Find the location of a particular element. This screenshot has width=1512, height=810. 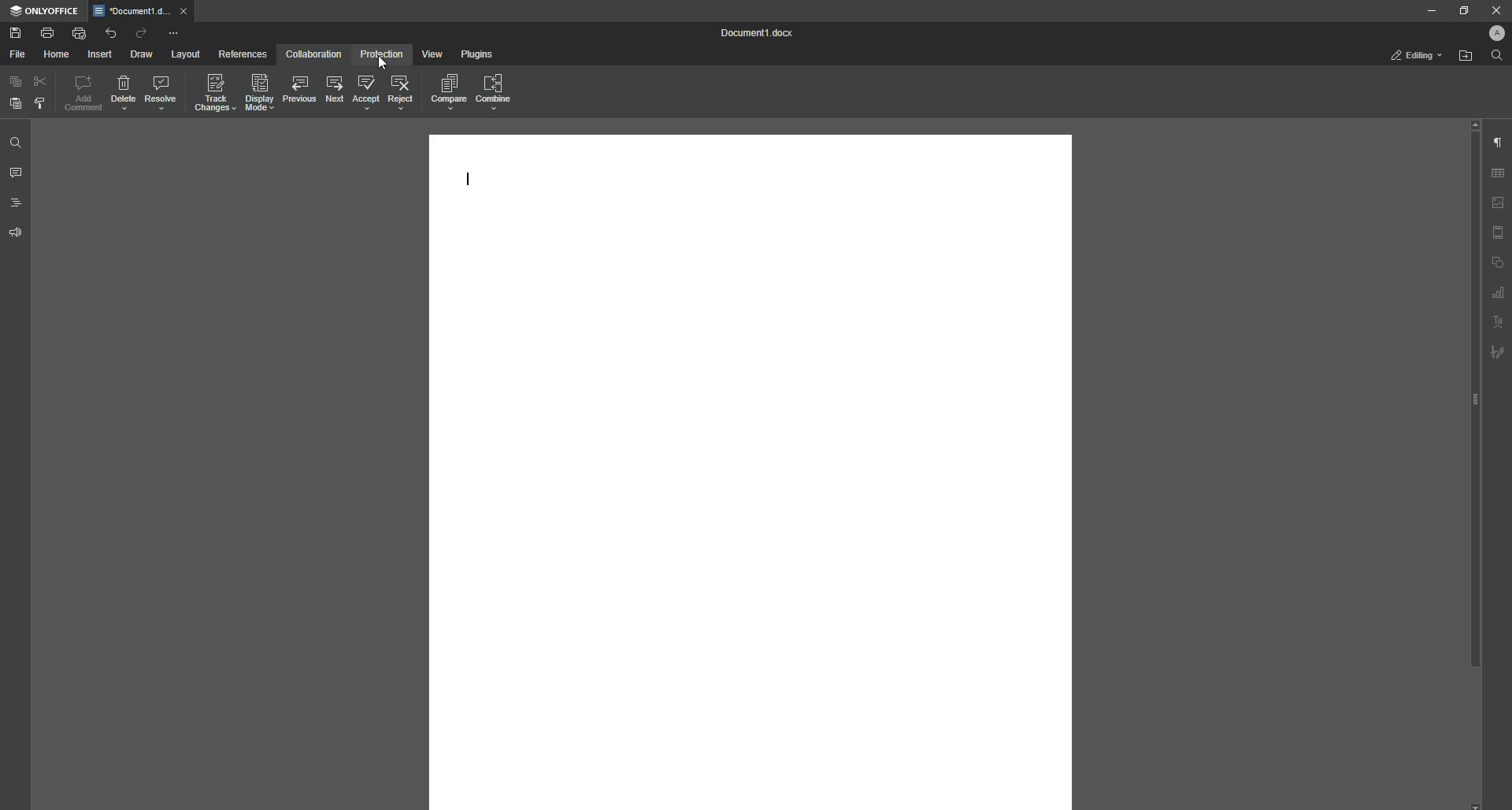

Protection is located at coordinates (381, 55).